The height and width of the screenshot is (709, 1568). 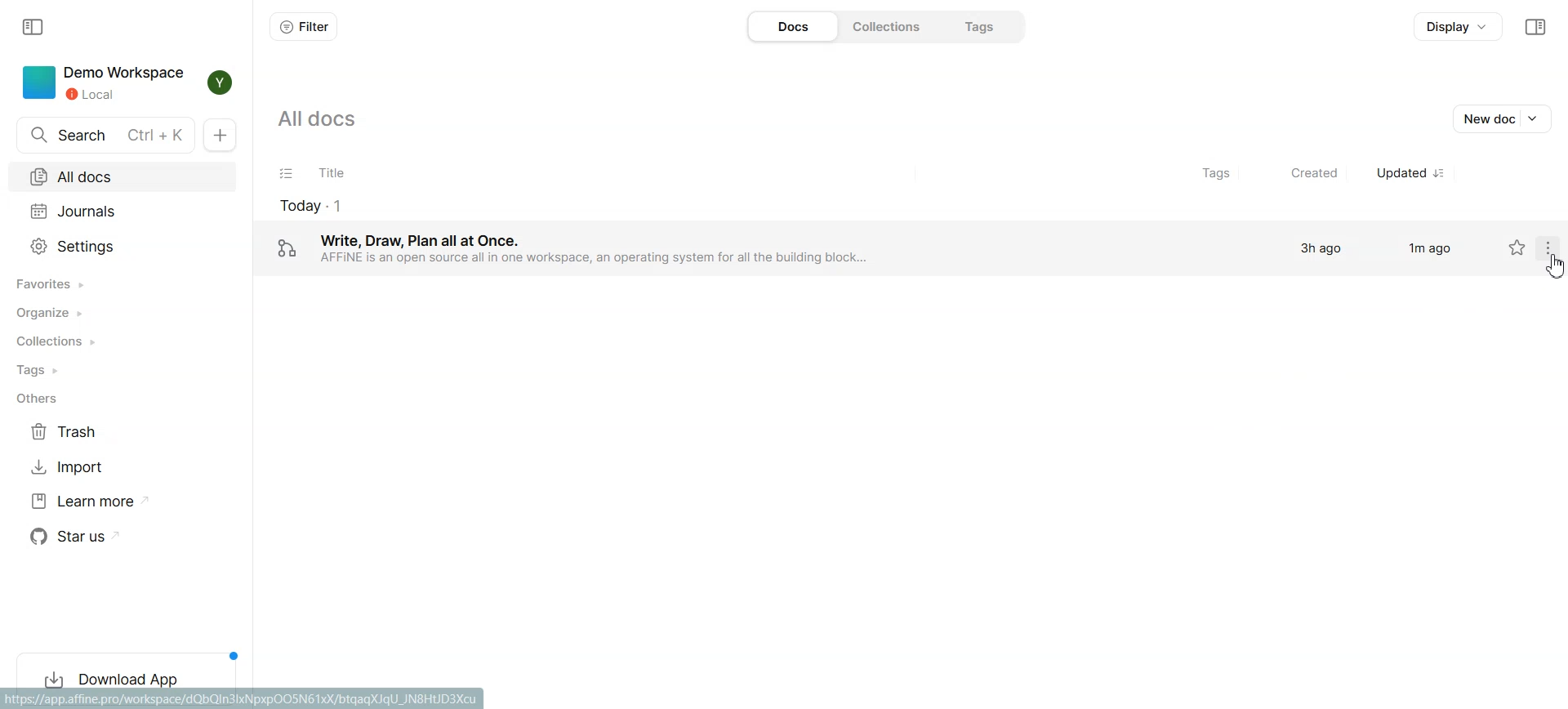 What do you see at coordinates (106, 136) in the screenshot?
I see `Search` at bounding box center [106, 136].